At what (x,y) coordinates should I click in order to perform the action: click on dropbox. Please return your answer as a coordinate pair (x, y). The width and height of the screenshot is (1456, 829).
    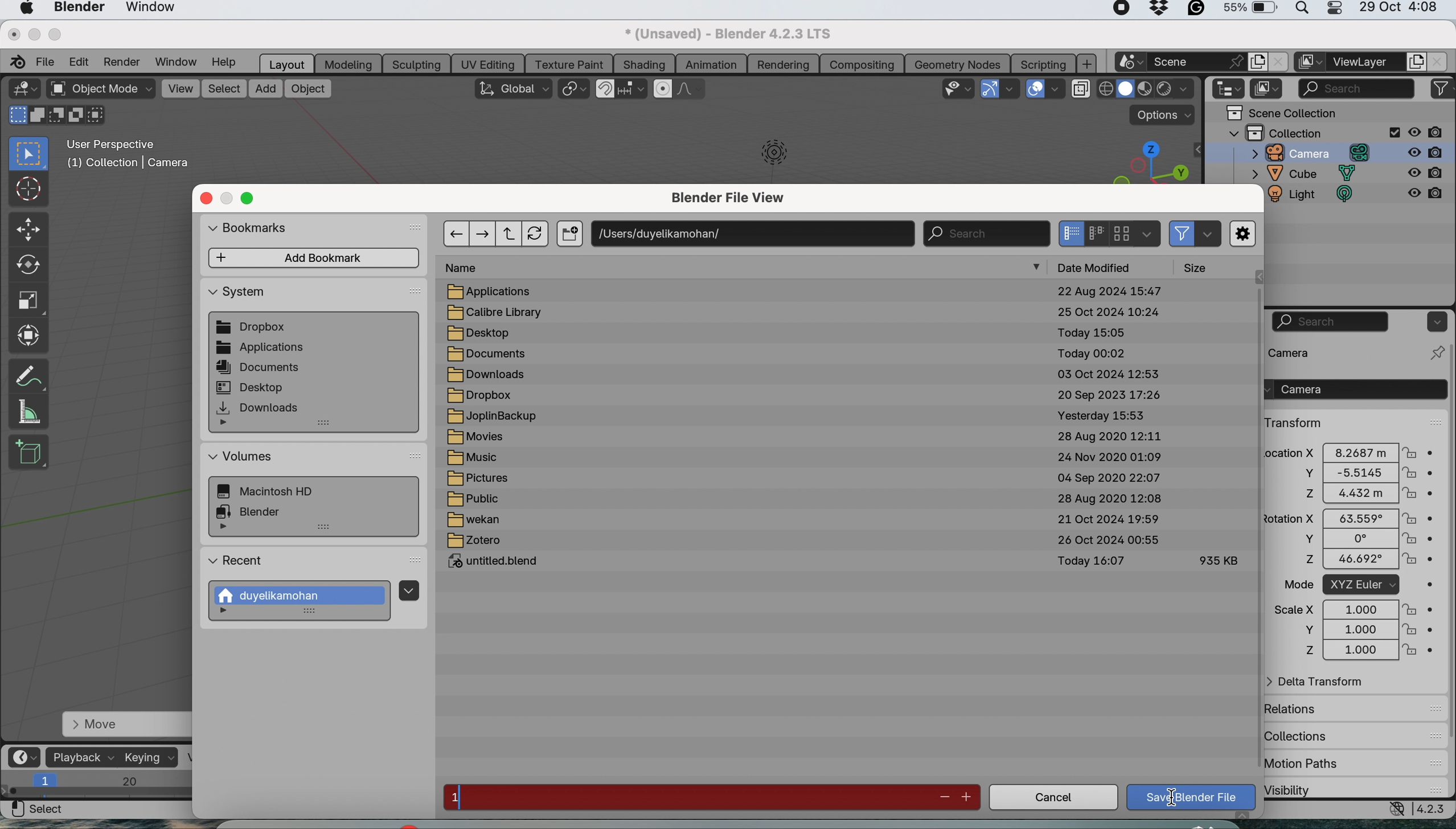
    Looking at the image, I should click on (253, 328).